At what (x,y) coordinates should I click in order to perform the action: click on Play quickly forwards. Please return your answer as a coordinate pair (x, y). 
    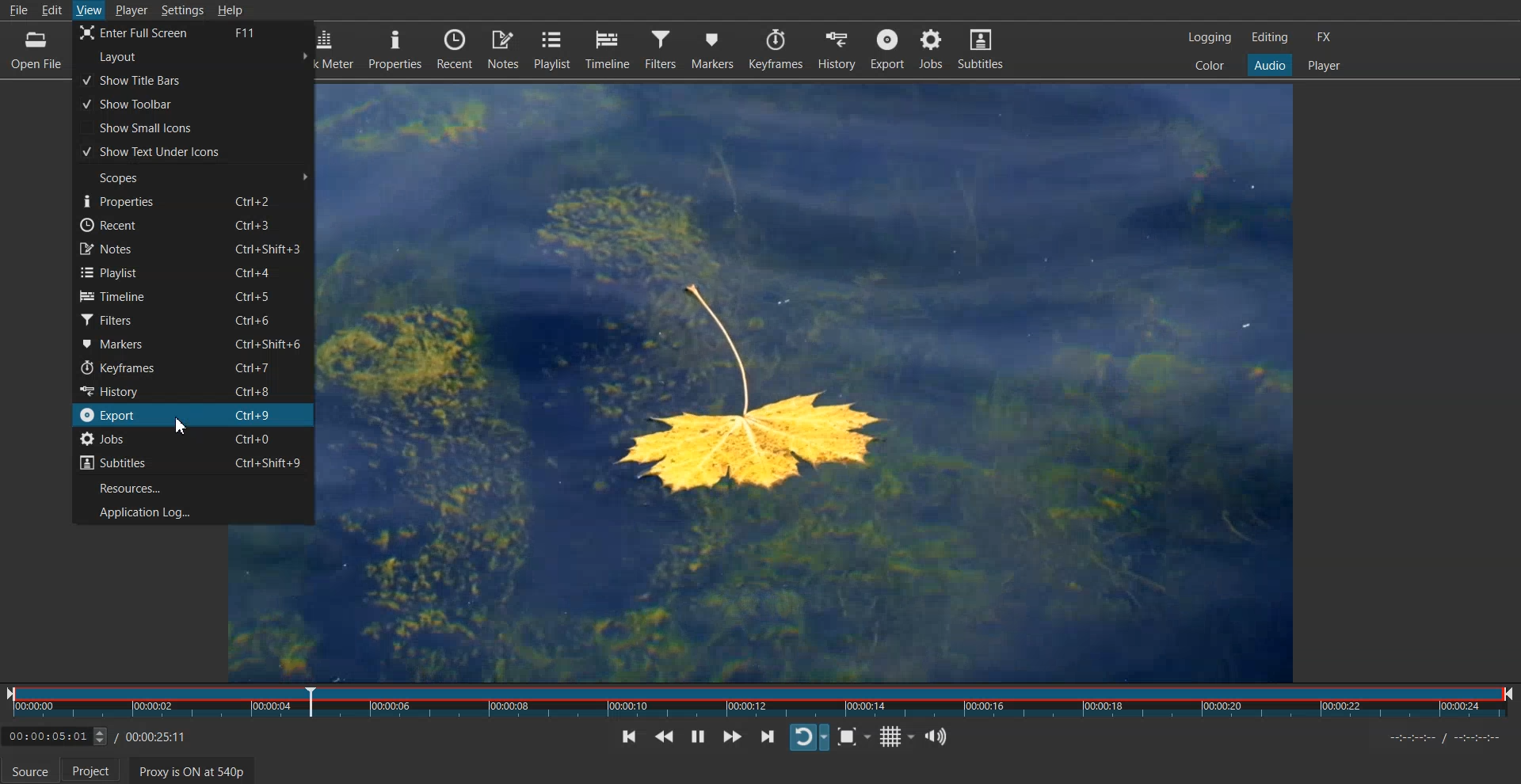
    Looking at the image, I should click on (733, 736).